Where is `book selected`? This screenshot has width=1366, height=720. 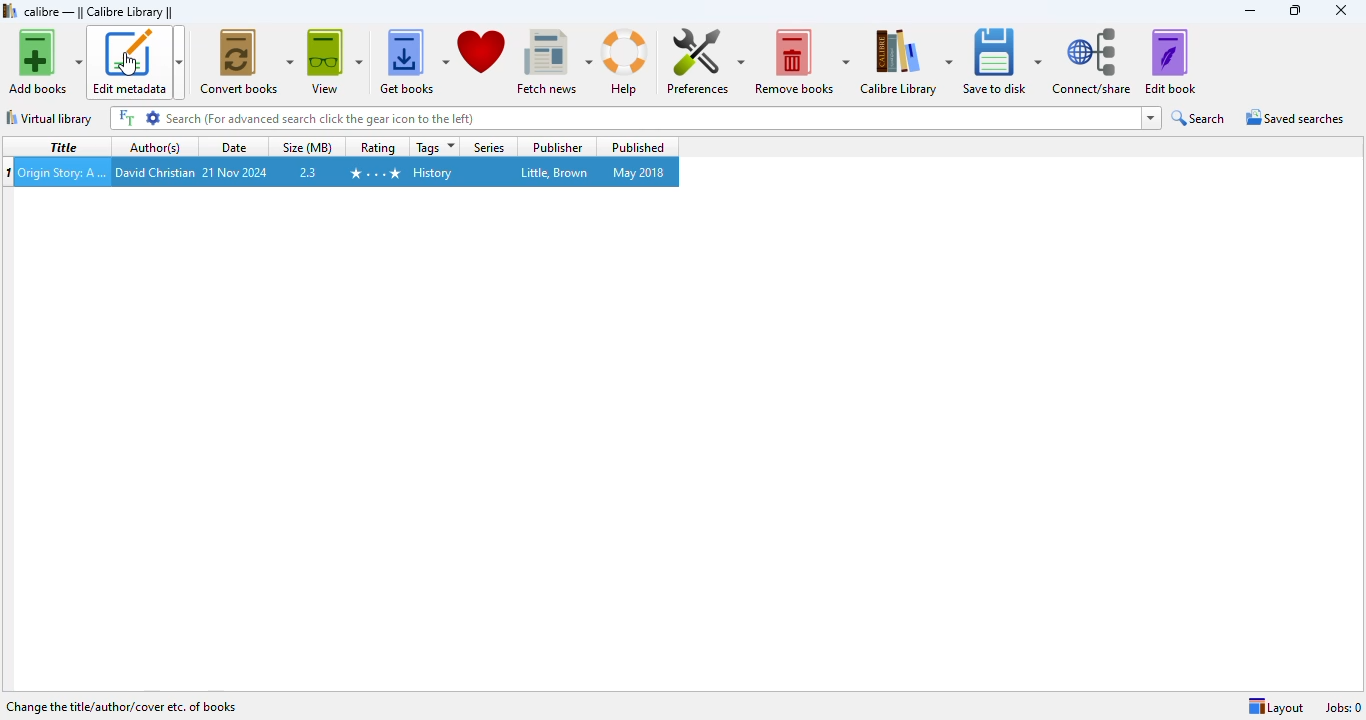 book selected is located at coordinates (348, 172).